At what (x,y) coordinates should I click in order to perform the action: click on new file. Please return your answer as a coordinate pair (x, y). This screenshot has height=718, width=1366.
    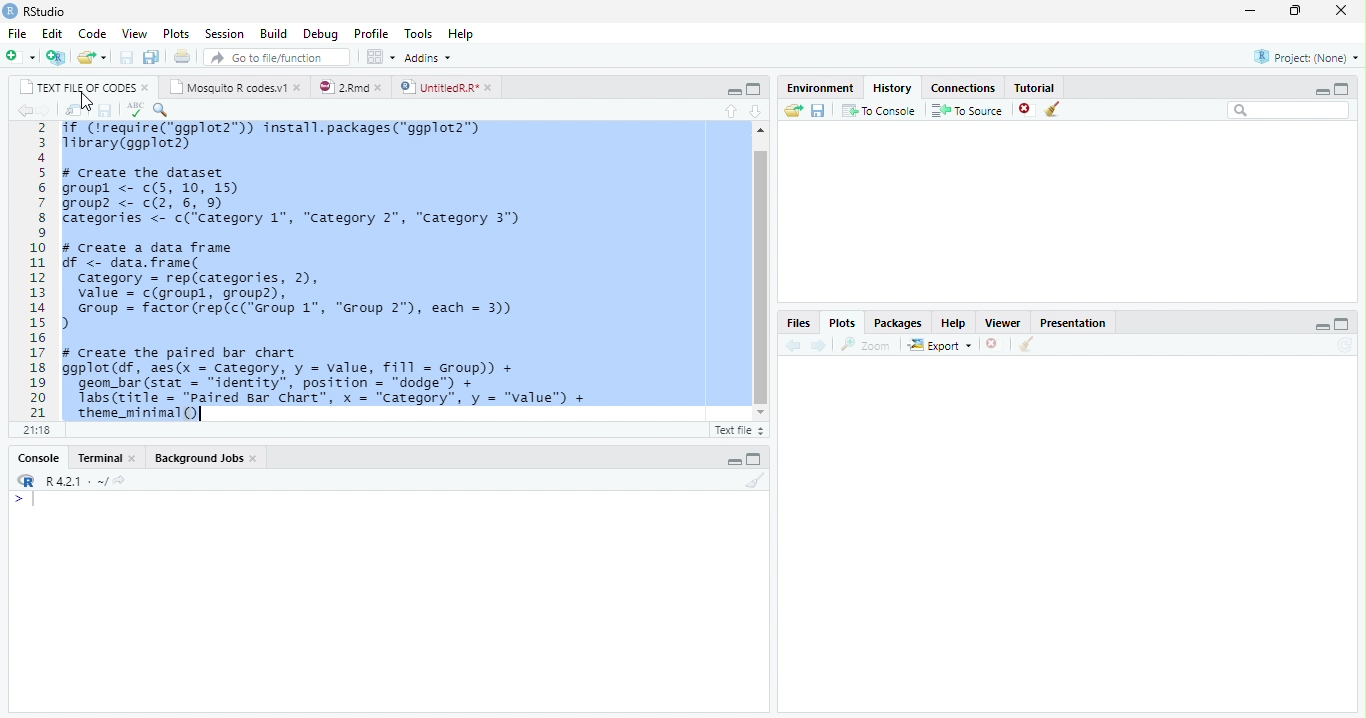
    Looking at the image, I should click on (19, 56).